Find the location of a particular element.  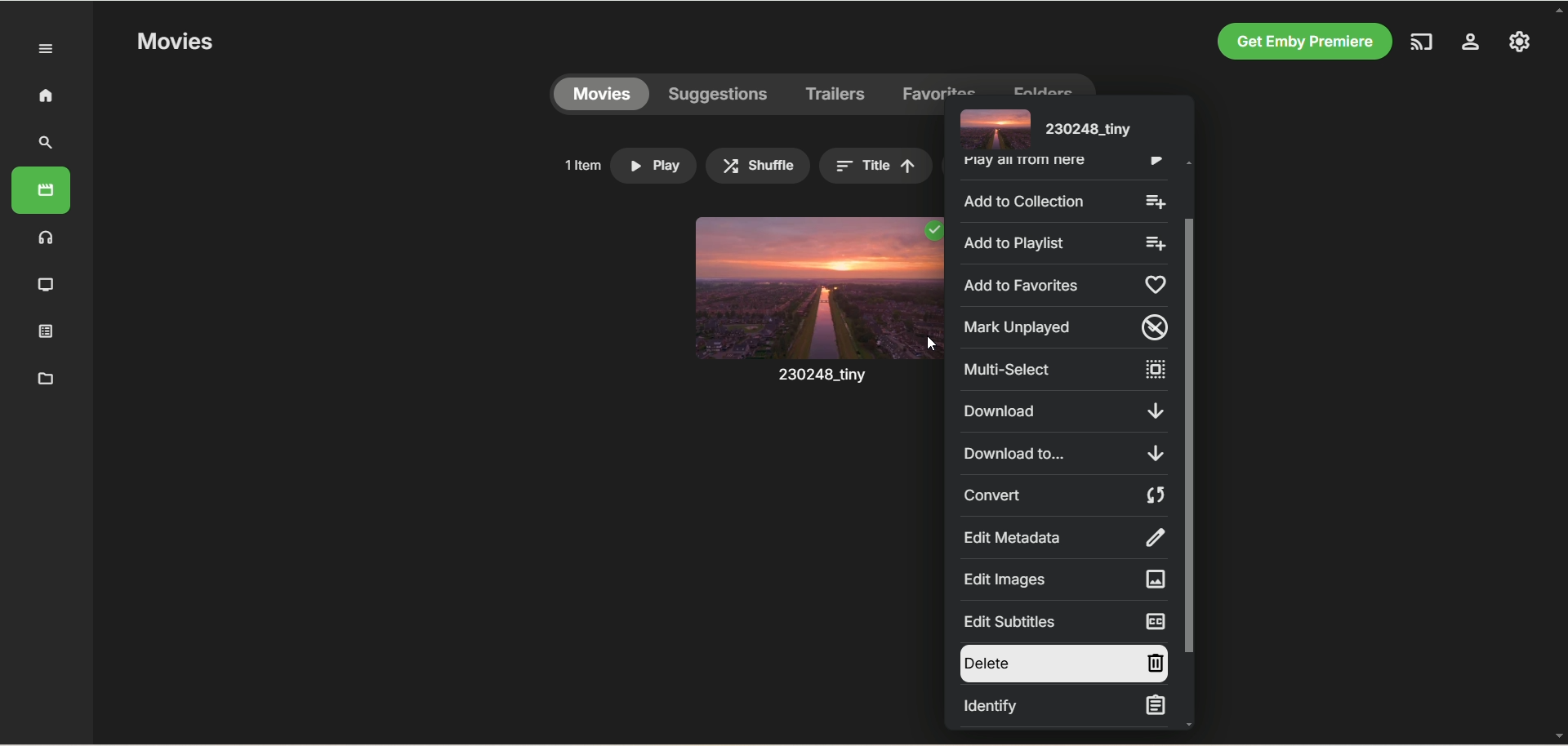

shuffle is located at coordinates (758, 166).